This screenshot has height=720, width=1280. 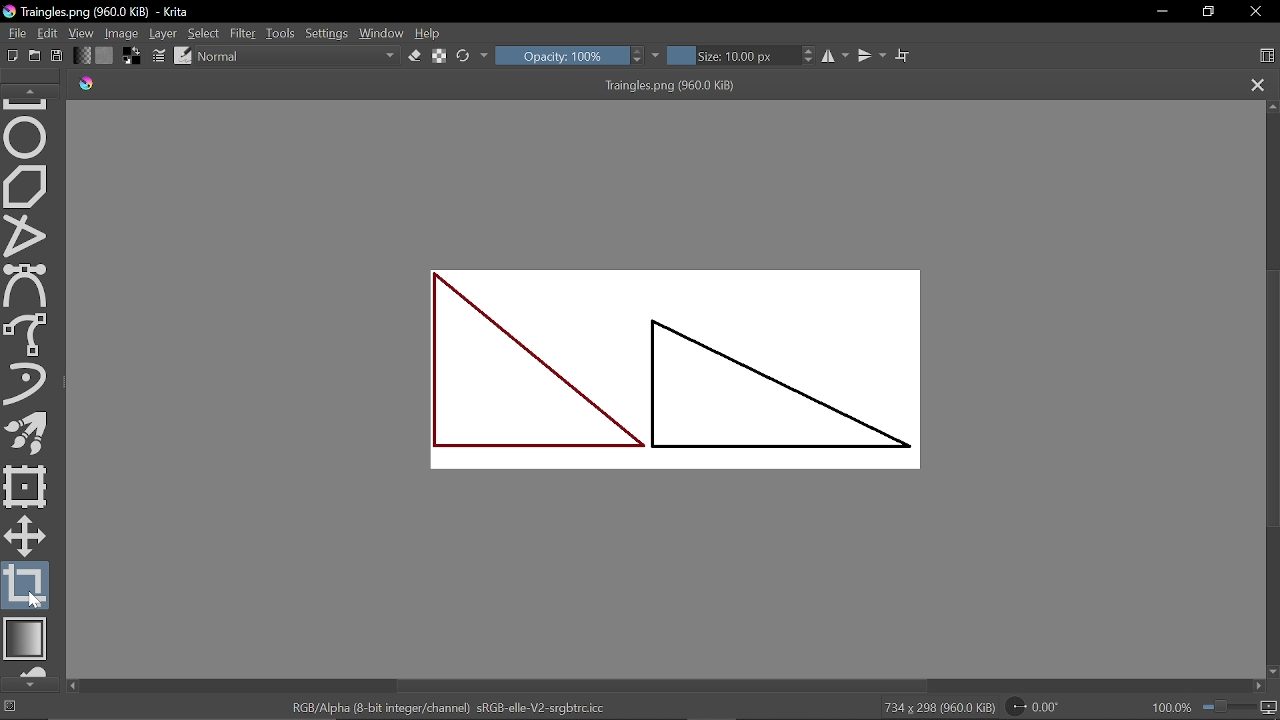 What do you see at coordinates (648, 86) in the screenshot?
I see `Traingles.png (960.0 KiB)` at bounding box center [648, 86].